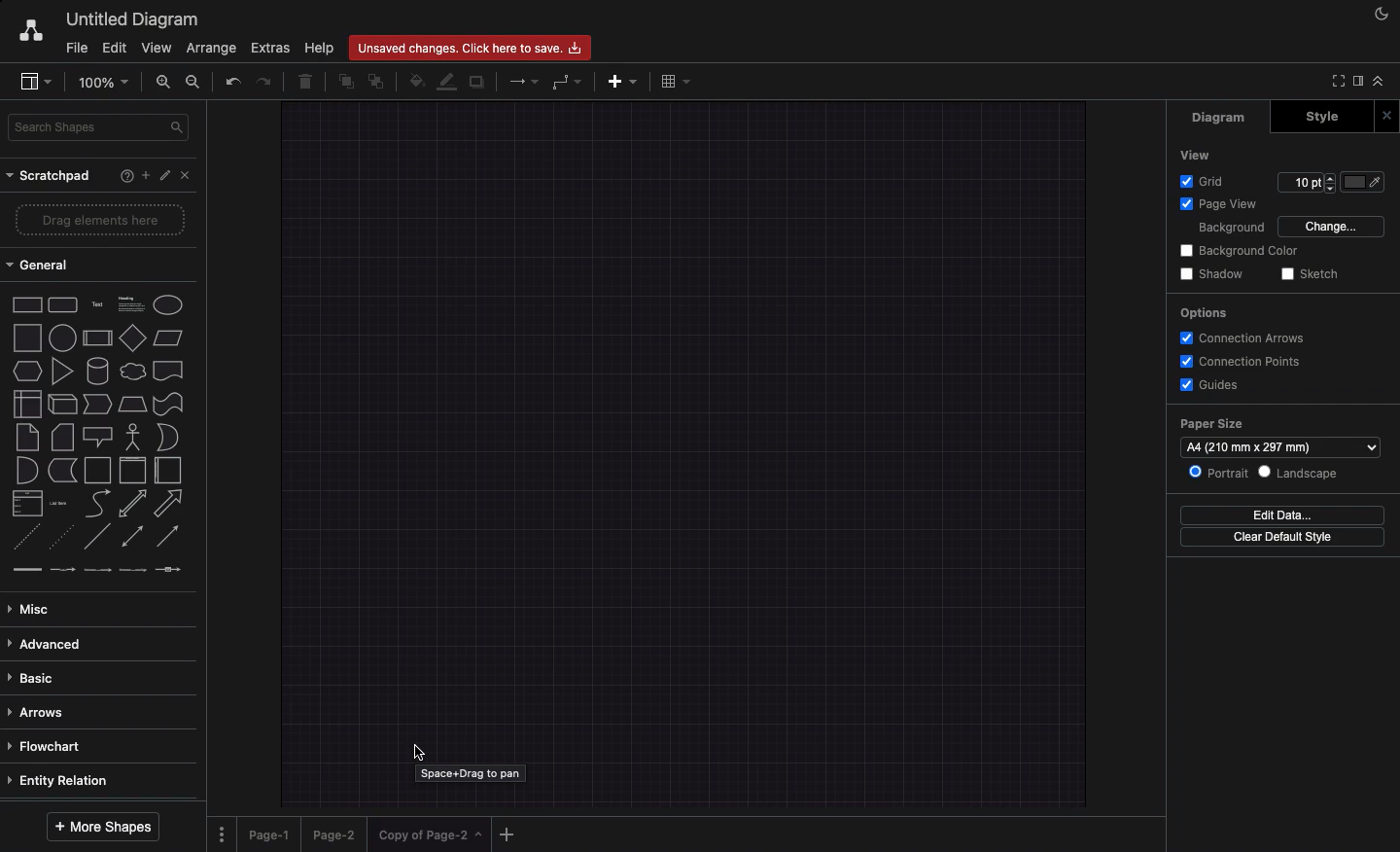 This screenshot has height=852, width=1400. What do you see at coordinates (617, 81) in the screenshot?
I see `Add` at bounding box center [617, 81].